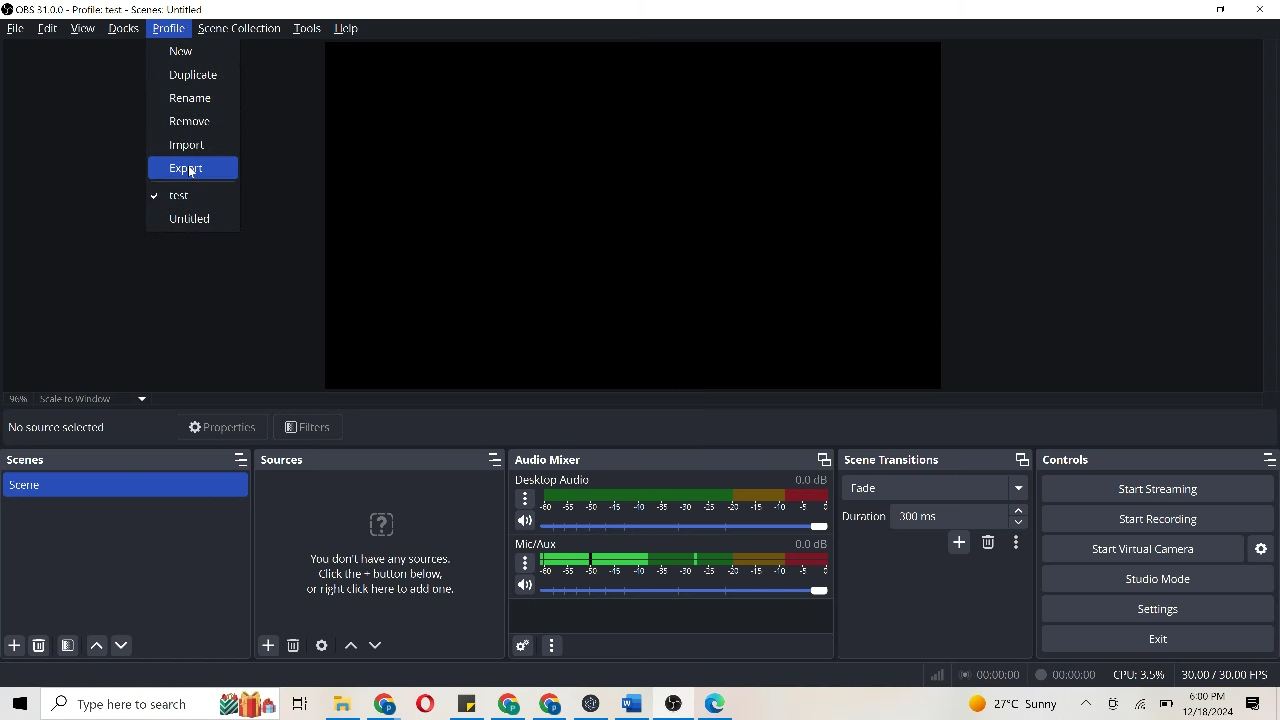  I want to click on add scene, so click(13, 644).